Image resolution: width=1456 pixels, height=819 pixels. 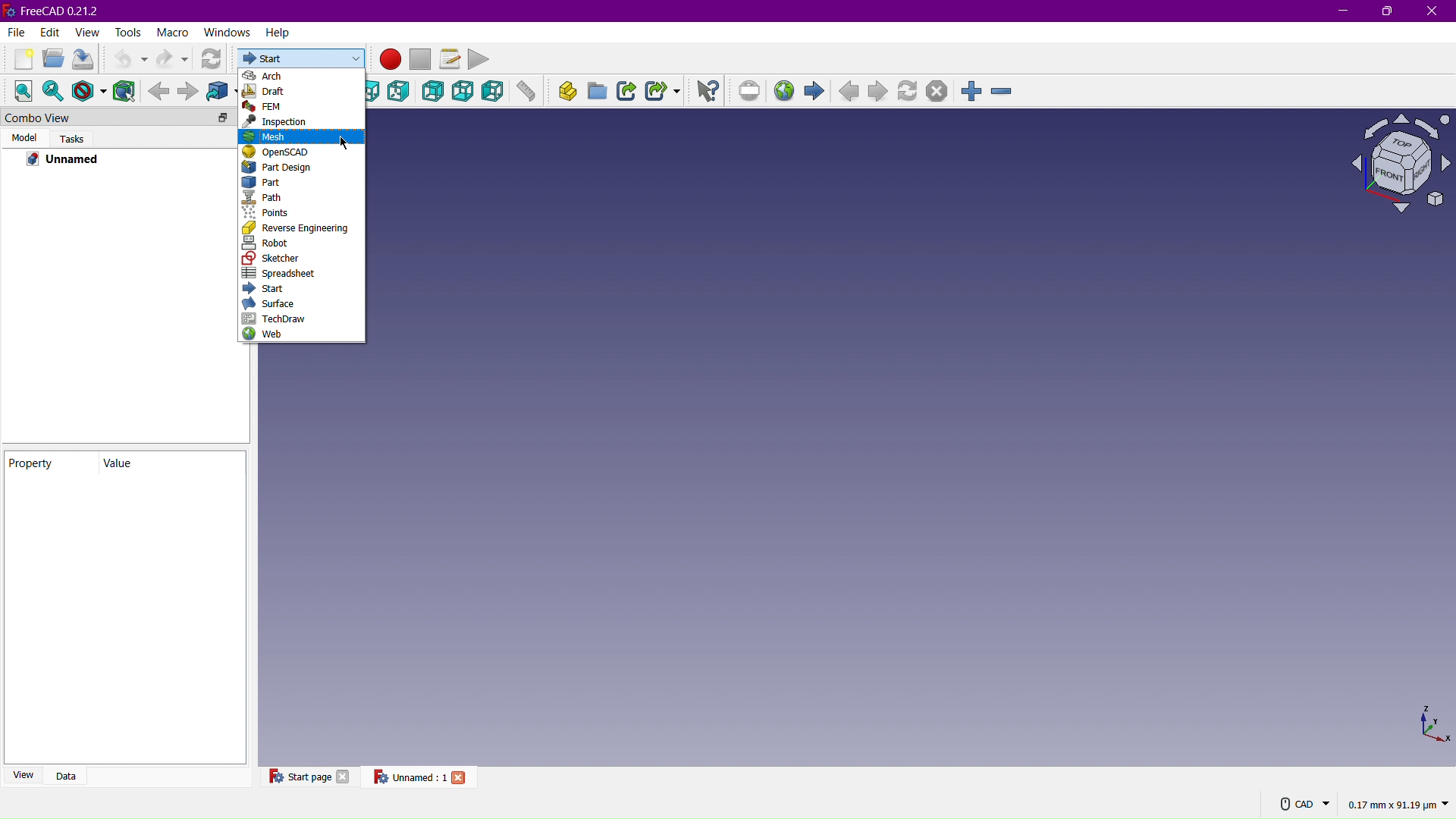 What do you see at coordinates (480, 58) in the screenshot?
I see `Execute Macro` at bounding box center [480, 58].